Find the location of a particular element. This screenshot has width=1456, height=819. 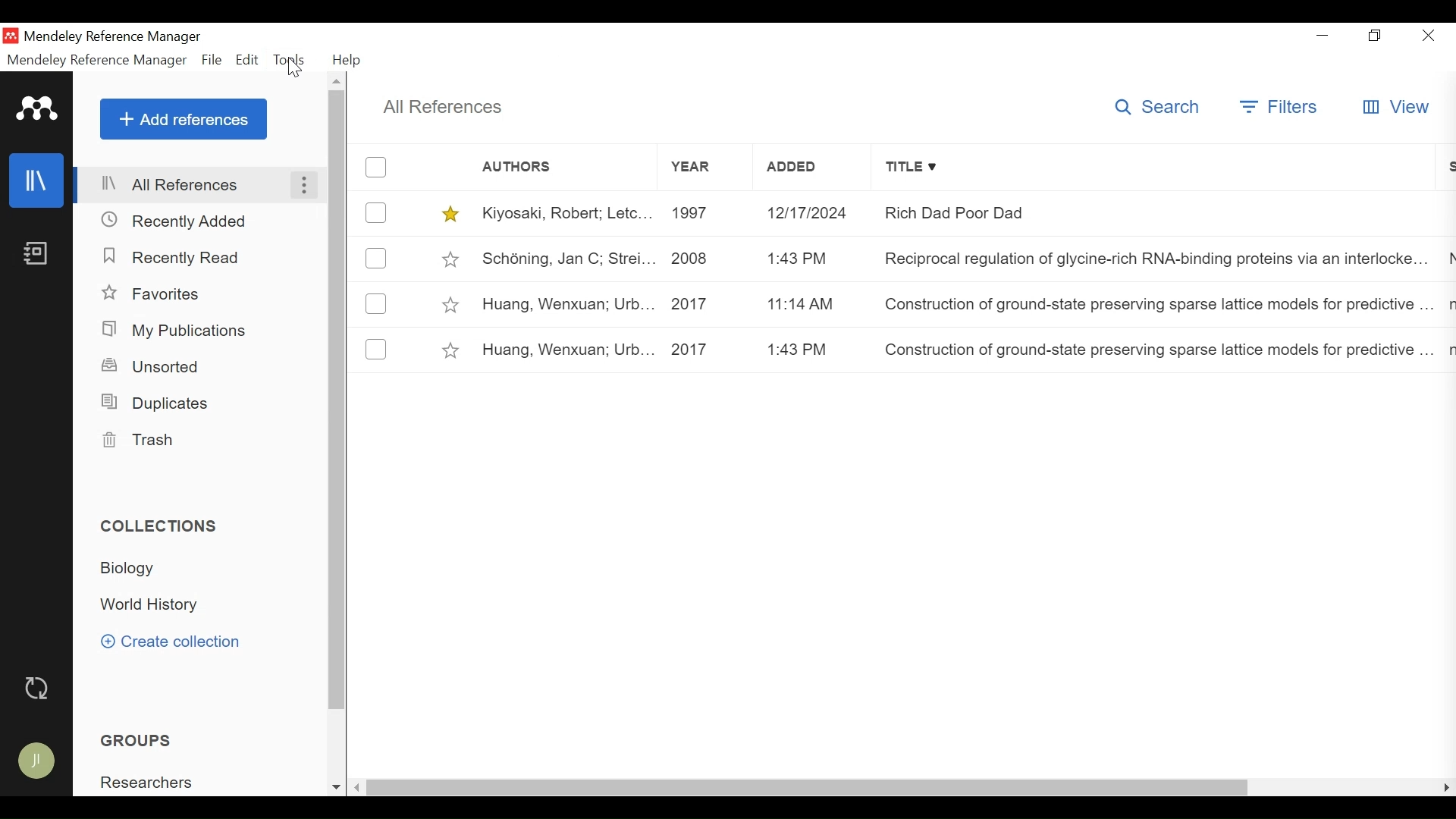

Year is located at coordinates (706, 167).